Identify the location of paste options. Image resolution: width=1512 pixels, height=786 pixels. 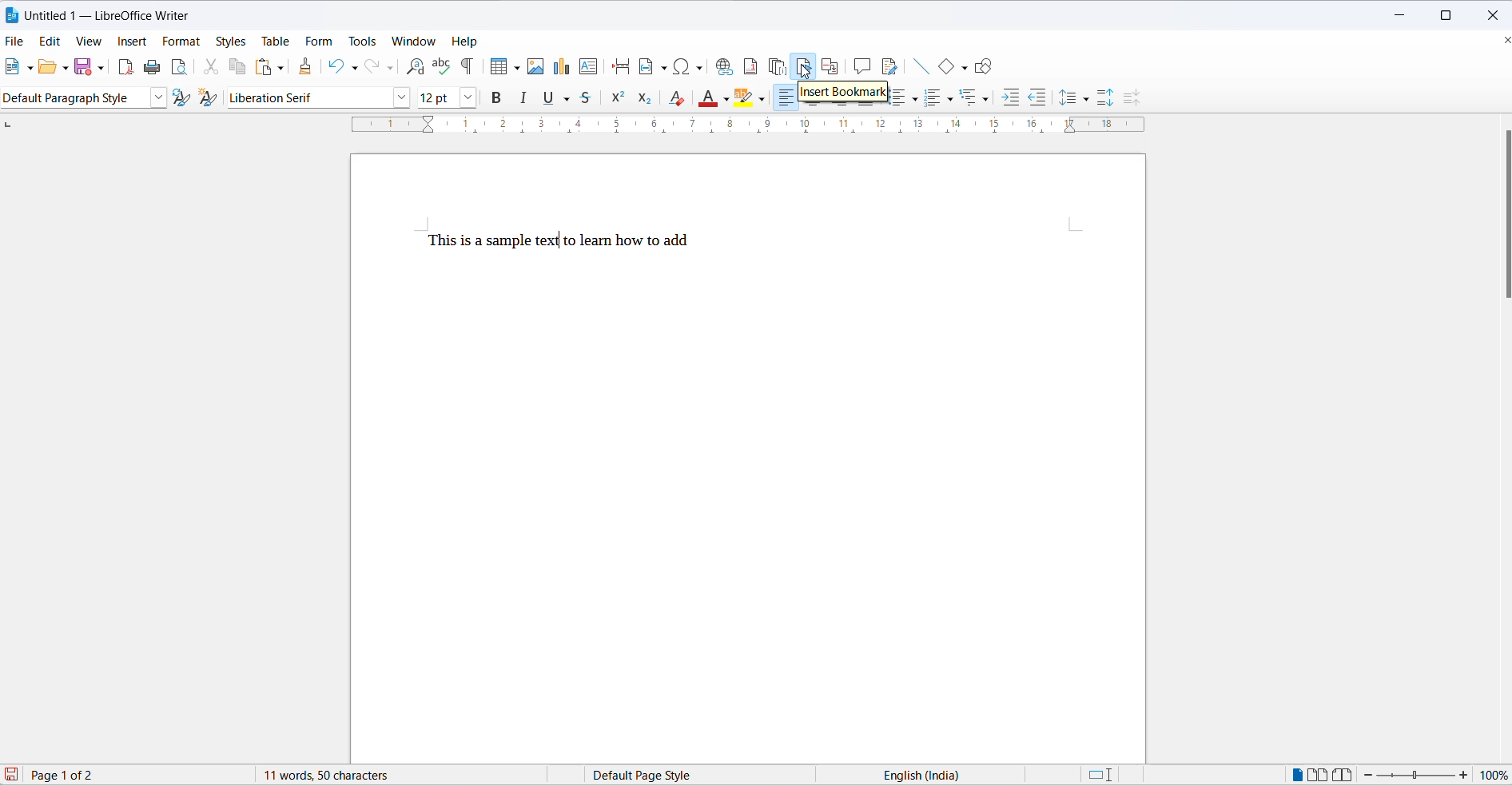
(281, 68).